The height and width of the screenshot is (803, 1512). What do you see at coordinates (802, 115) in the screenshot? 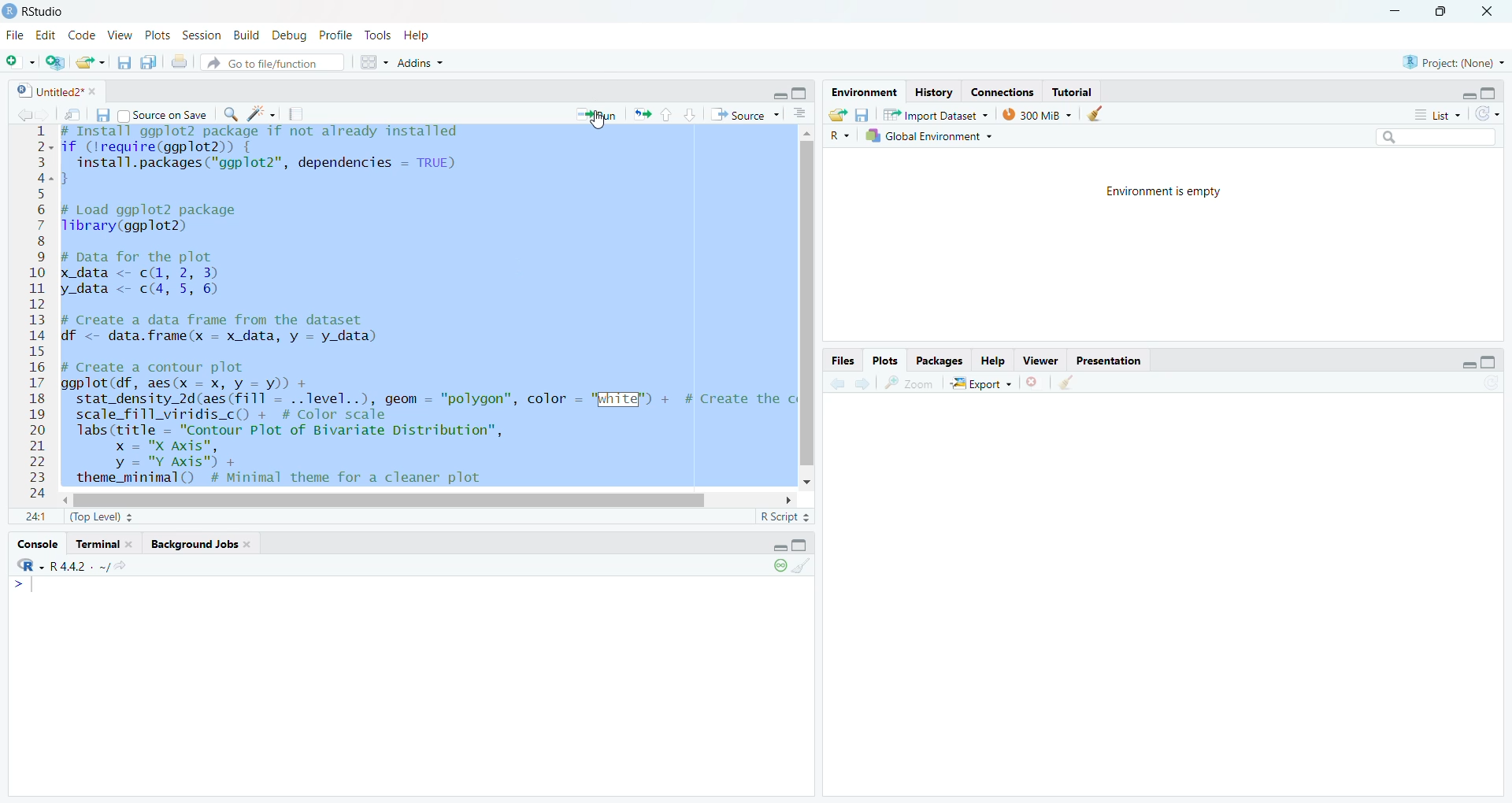
I see `show document outline` at bounding box center [802, 115].